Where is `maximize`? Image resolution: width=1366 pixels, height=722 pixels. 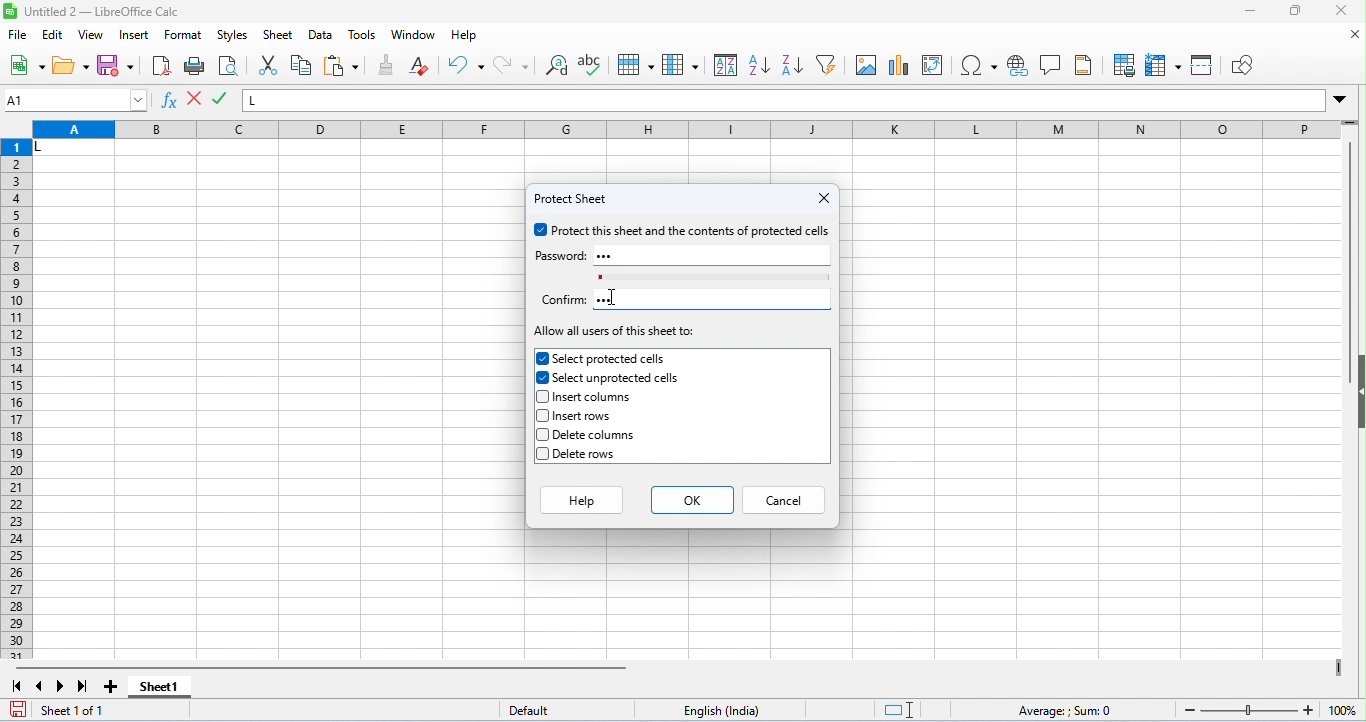
maximize is located at coordinates (1294, 13).